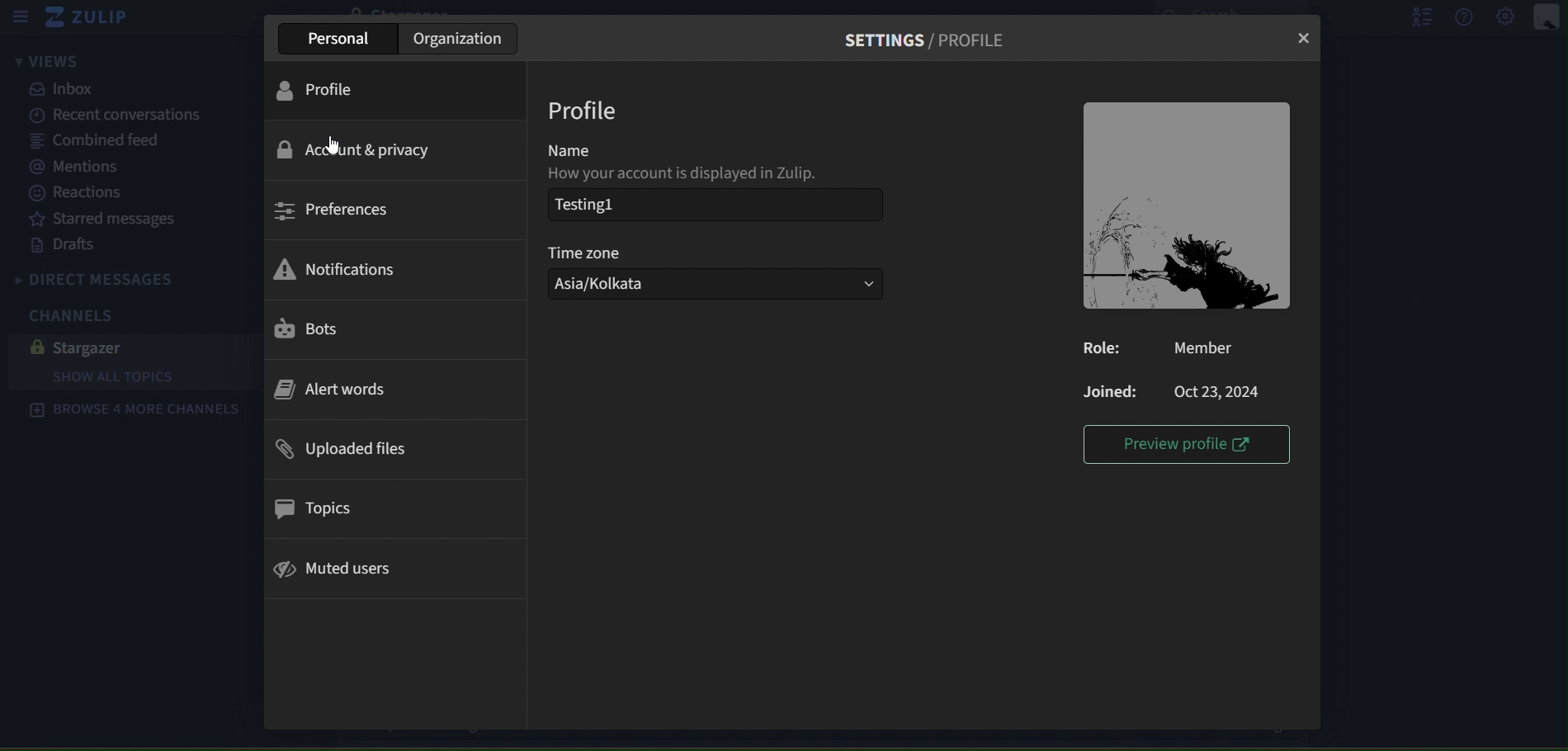 The image size is (1568, 751). Describe the element at coordinates (83, 314) in the screenshot. I see `channels` at that location.